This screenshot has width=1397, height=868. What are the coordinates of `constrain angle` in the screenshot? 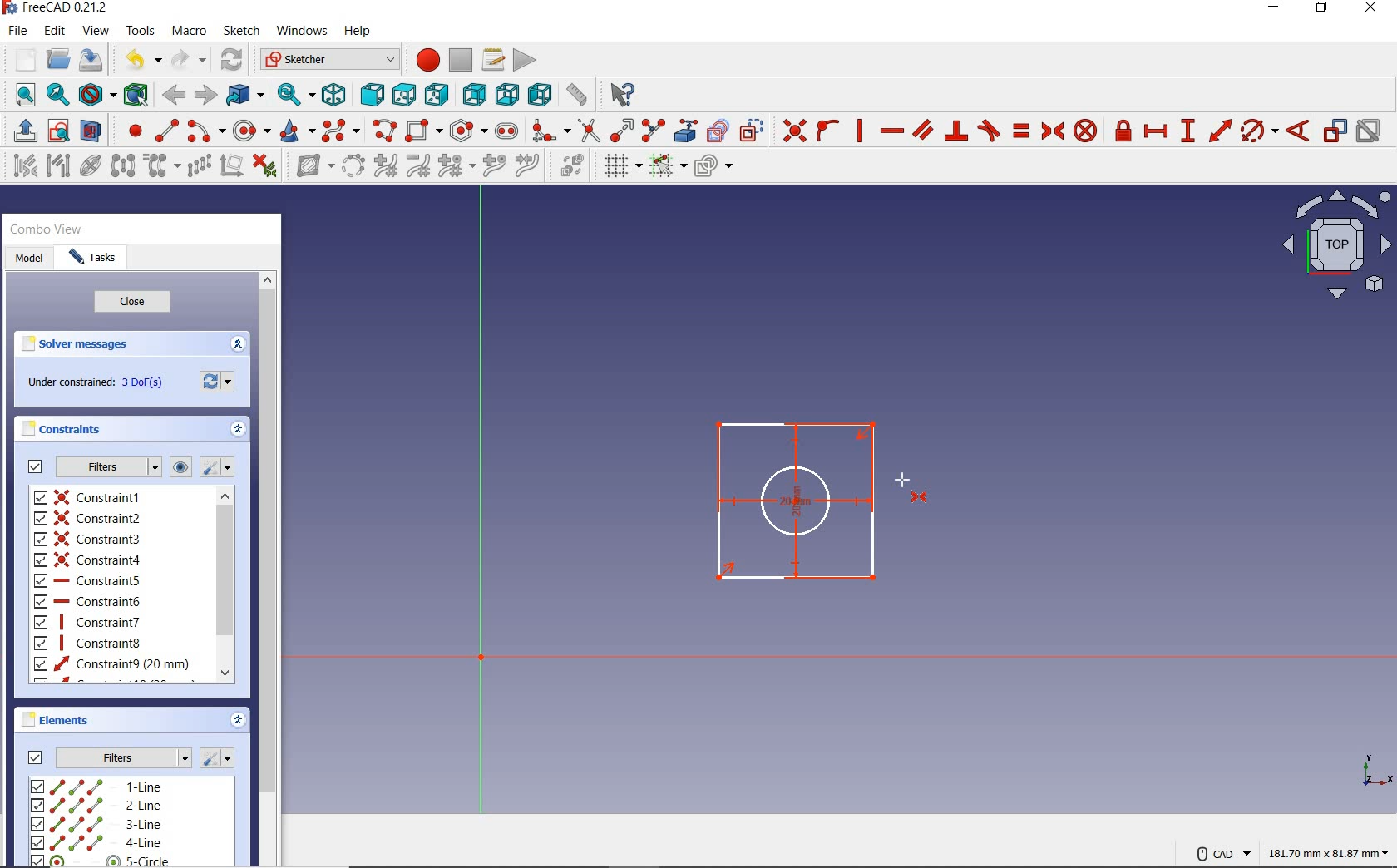 It's located at (1300, 131).